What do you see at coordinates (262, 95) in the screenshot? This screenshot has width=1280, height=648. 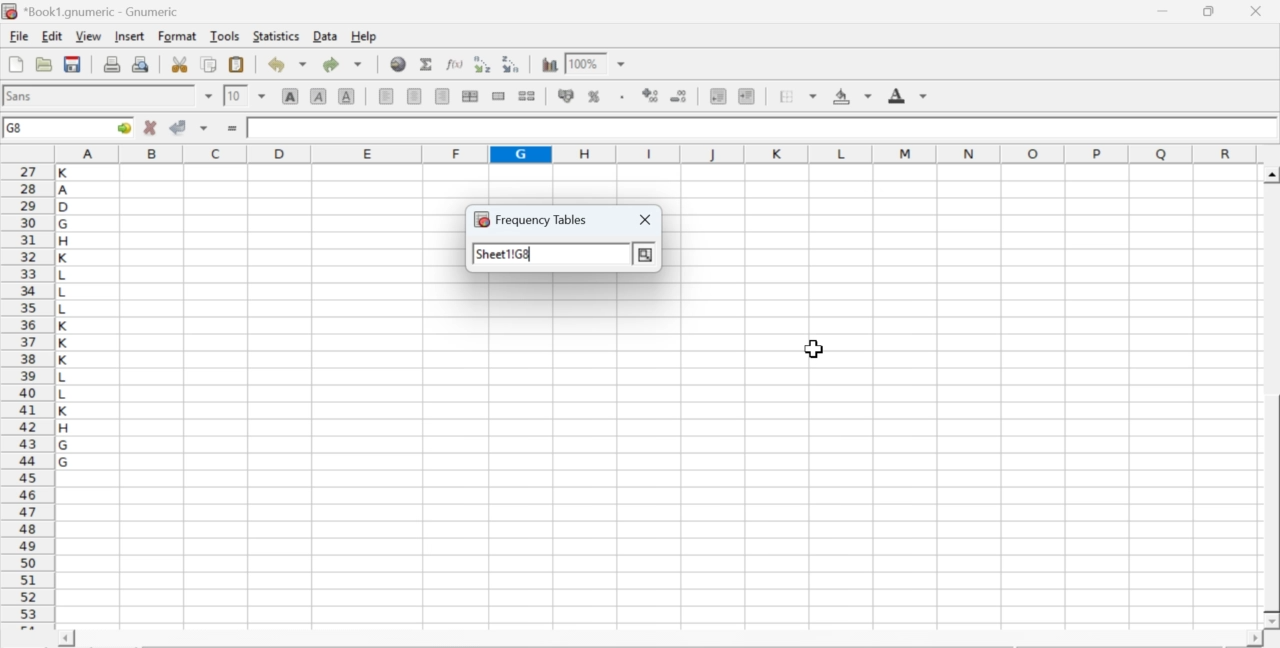 I see `drop down` at bounding box center [262, 95].